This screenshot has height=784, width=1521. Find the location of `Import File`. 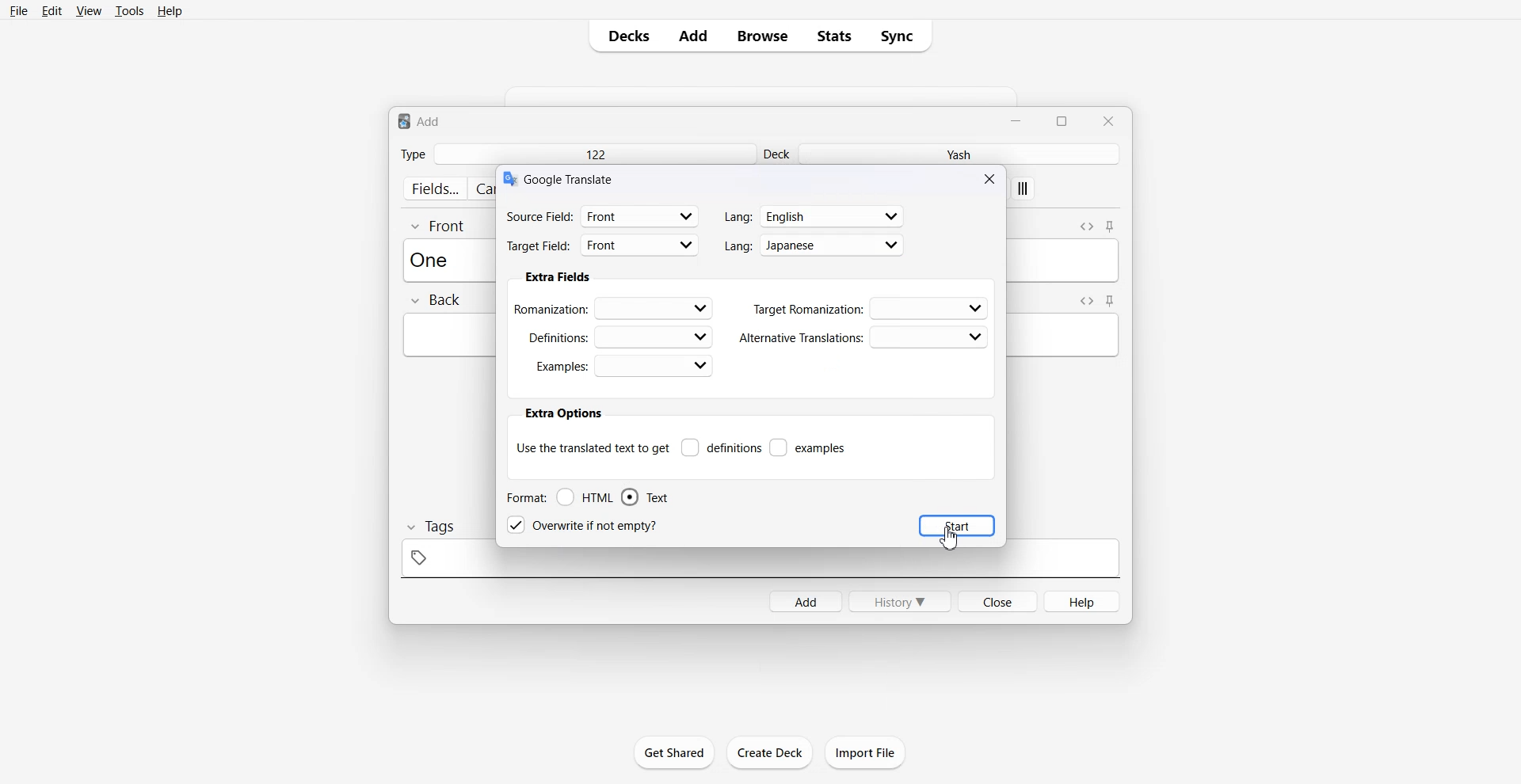

Import File is located at coordinates (866, 752).